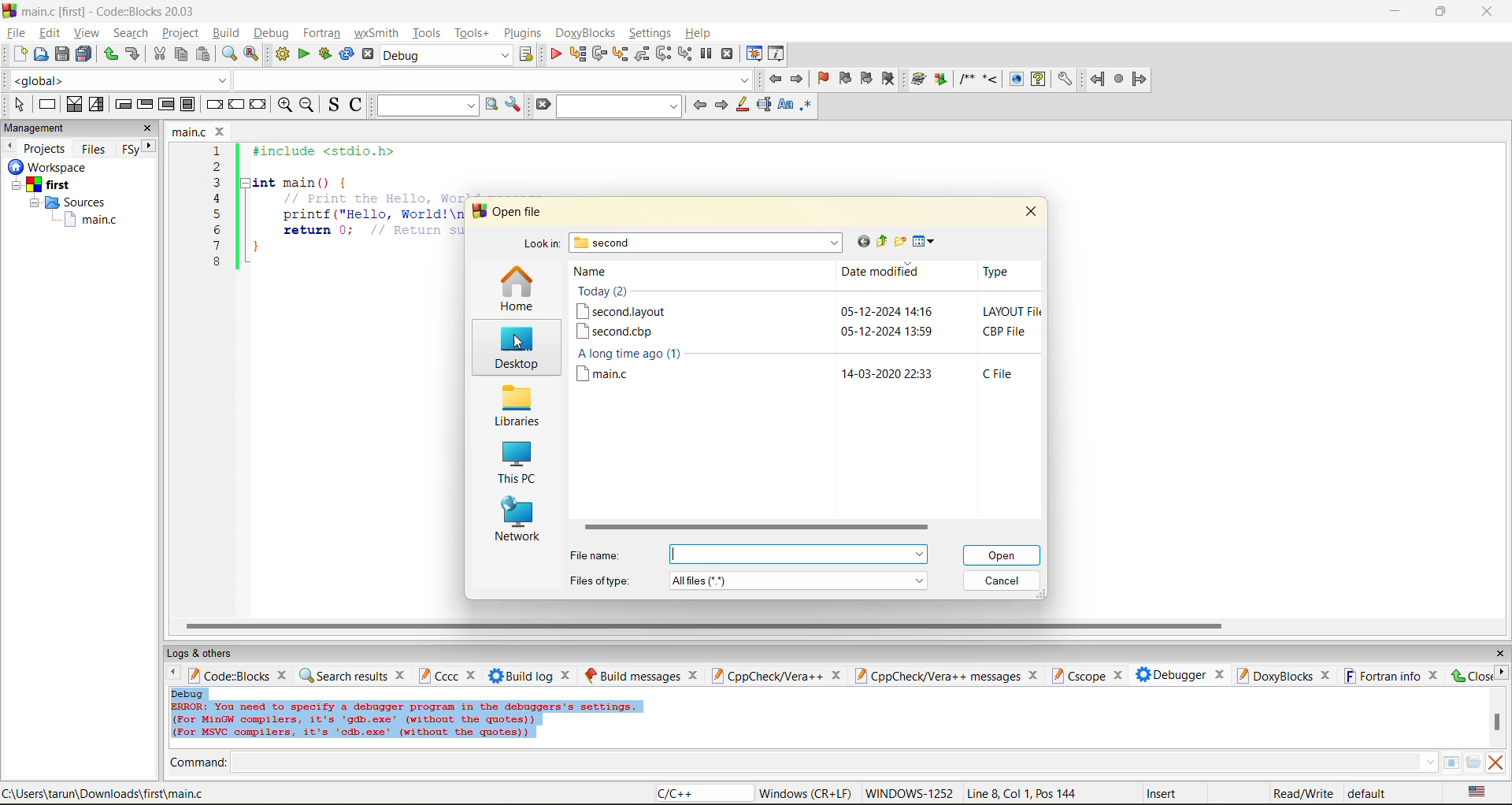  I want to click on next bookmark, so click(868, 76).